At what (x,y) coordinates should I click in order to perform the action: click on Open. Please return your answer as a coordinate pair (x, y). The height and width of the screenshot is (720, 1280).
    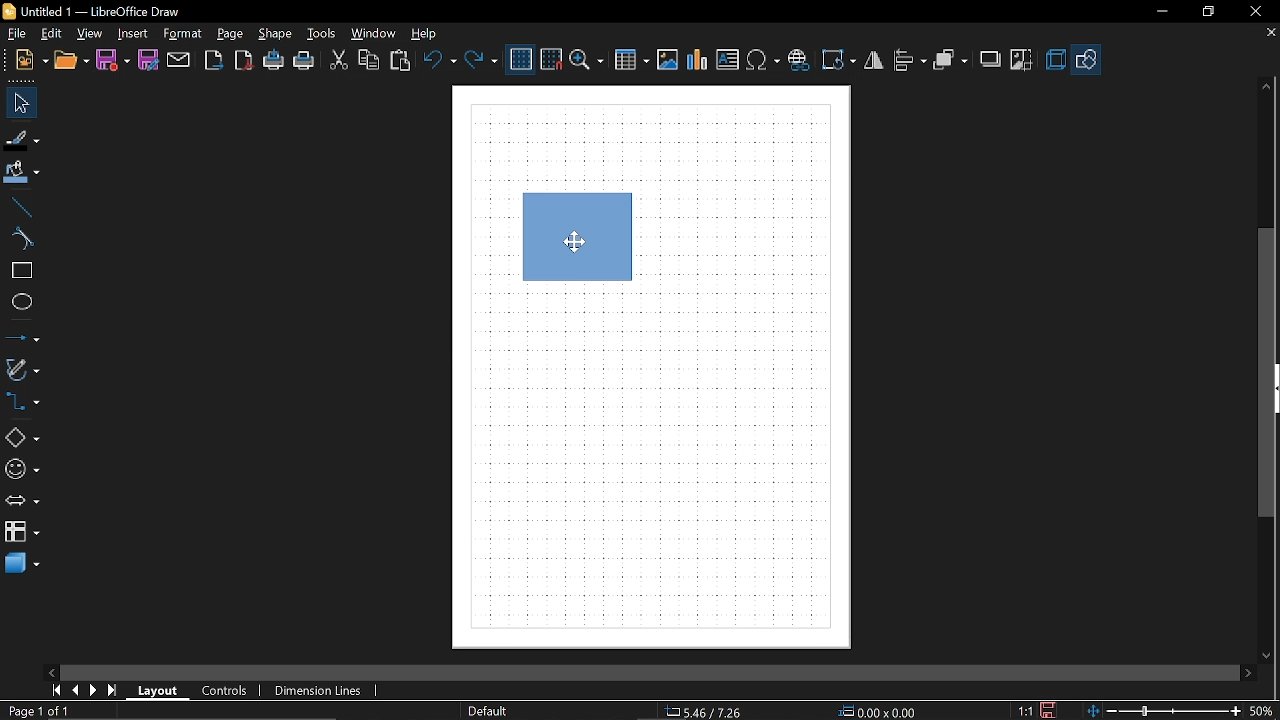
    Looking at the image, I should click on (72, 62).